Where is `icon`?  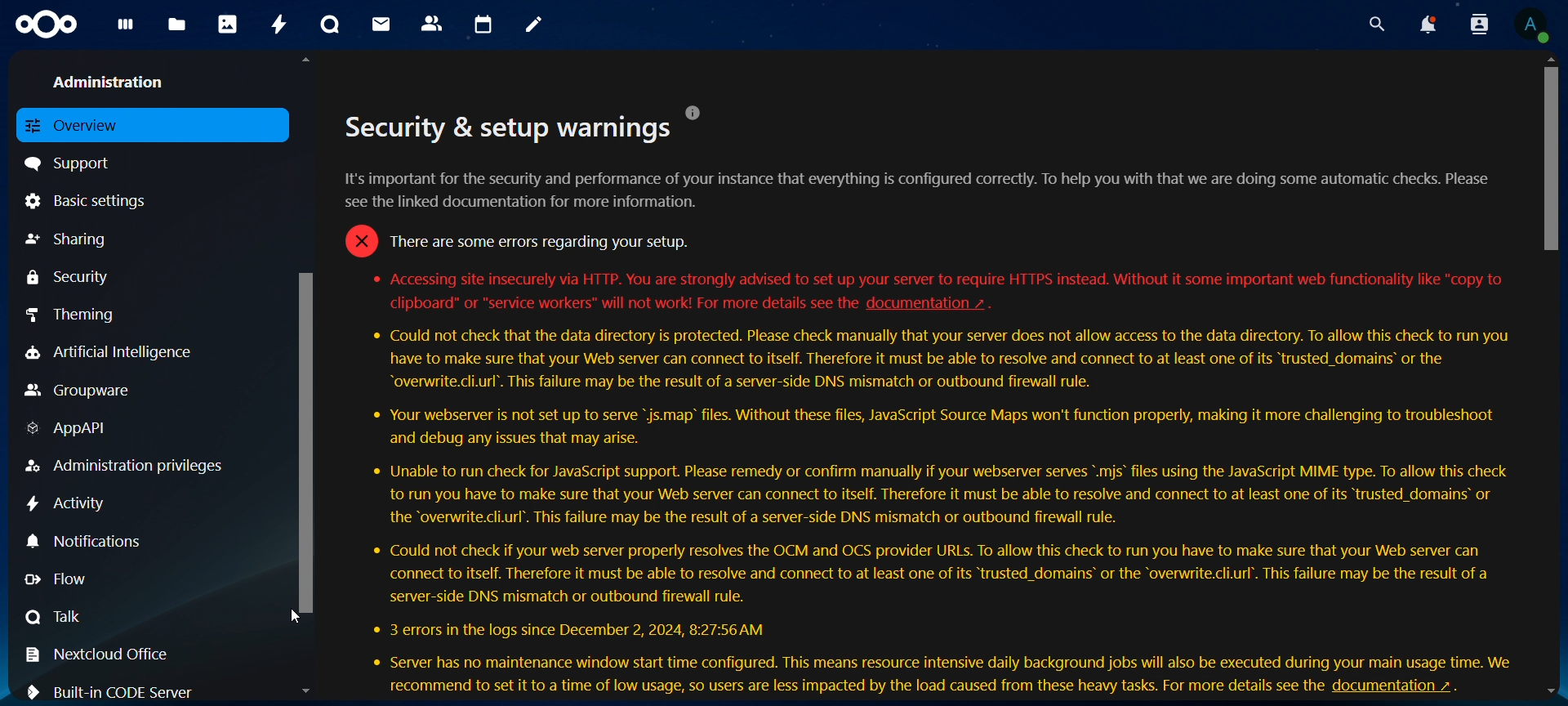 icon is located at coordinates (48, 25).